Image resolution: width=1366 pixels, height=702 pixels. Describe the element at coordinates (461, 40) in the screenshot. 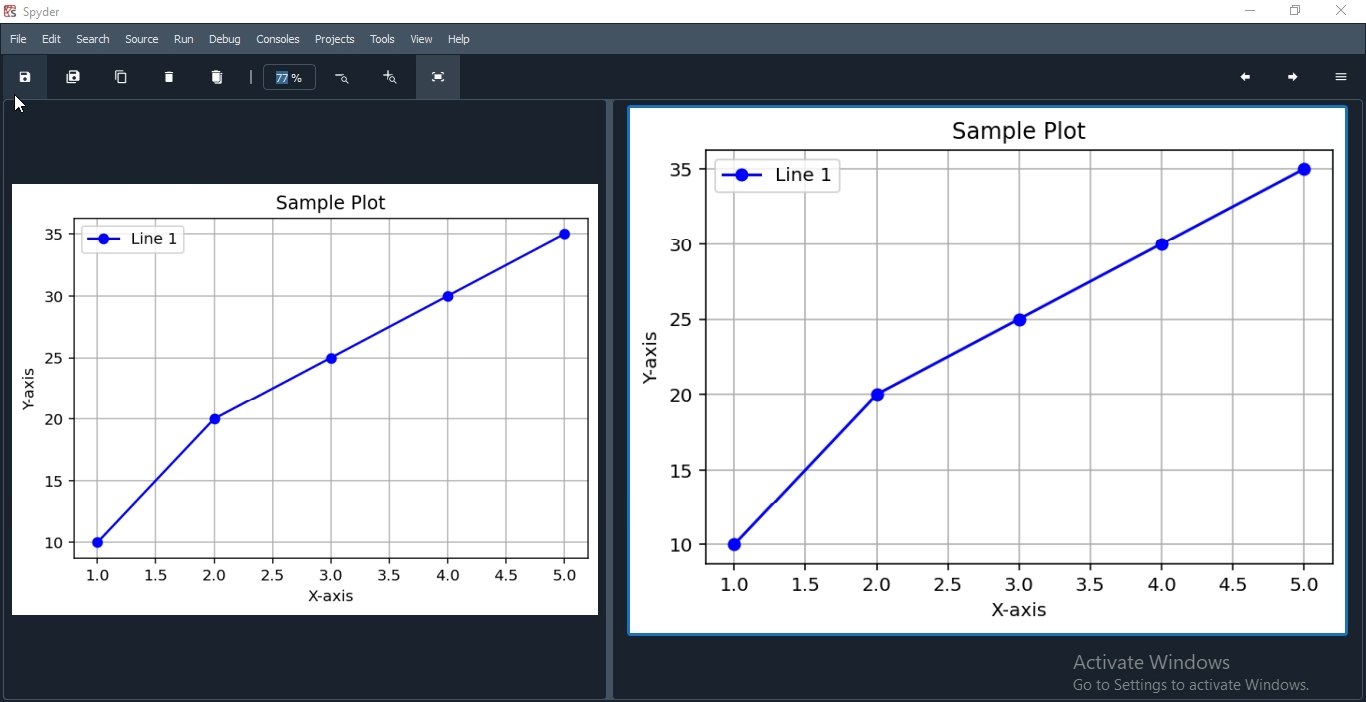

I see `Help` at that location.